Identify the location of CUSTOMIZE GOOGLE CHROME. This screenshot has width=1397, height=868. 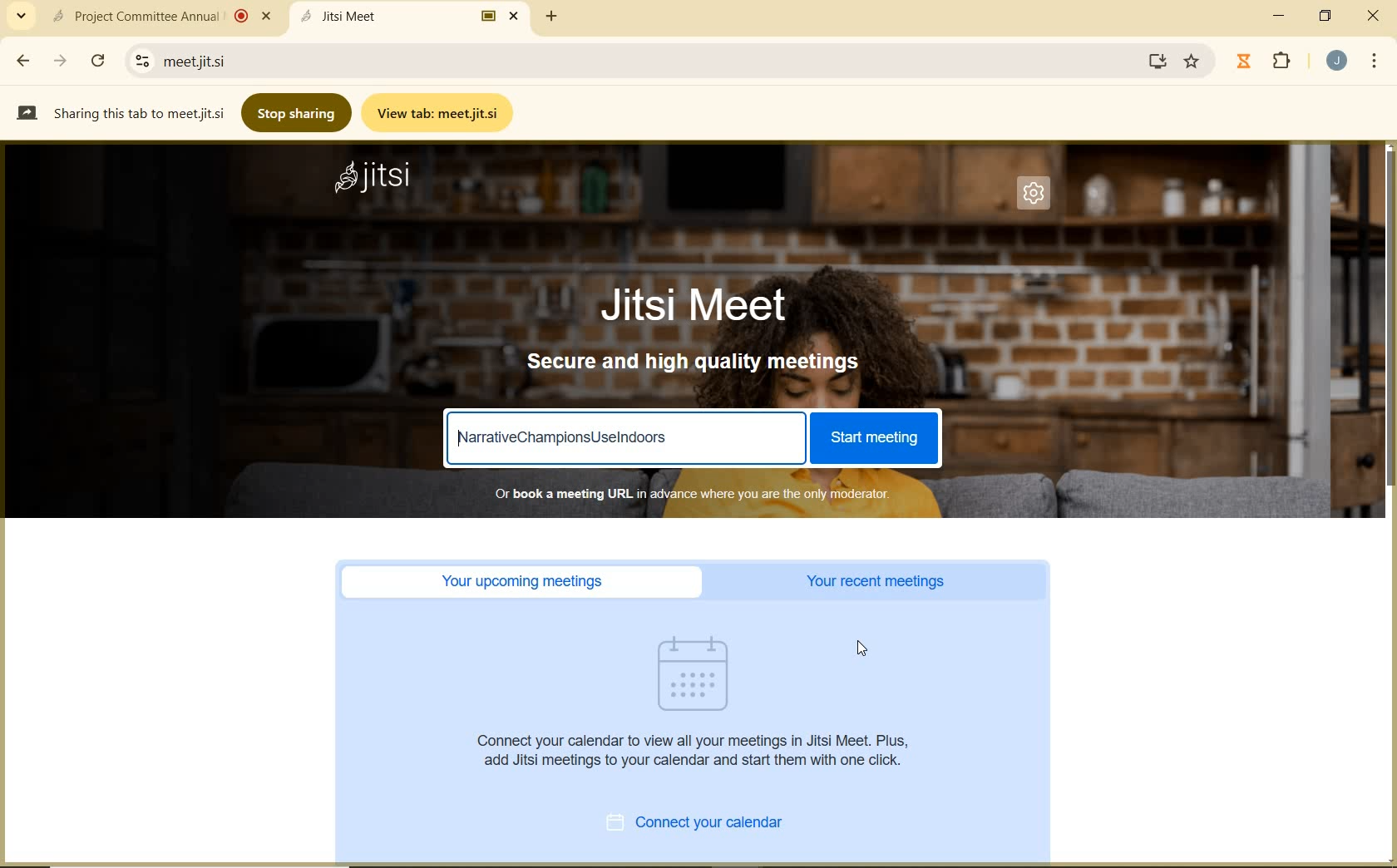
(1375, 62).